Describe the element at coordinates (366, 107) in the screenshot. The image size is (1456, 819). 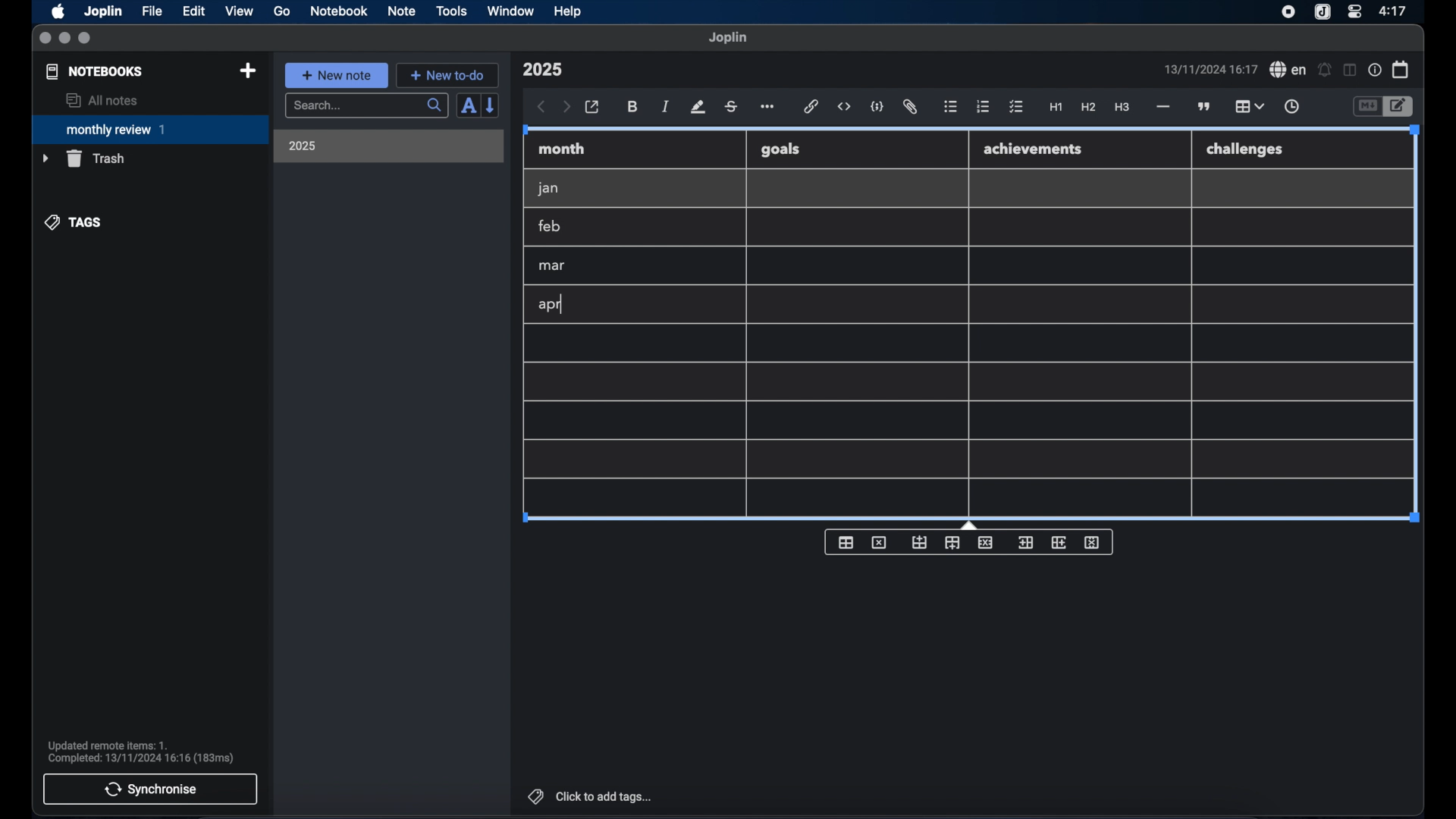
I see `search bar` at that location.